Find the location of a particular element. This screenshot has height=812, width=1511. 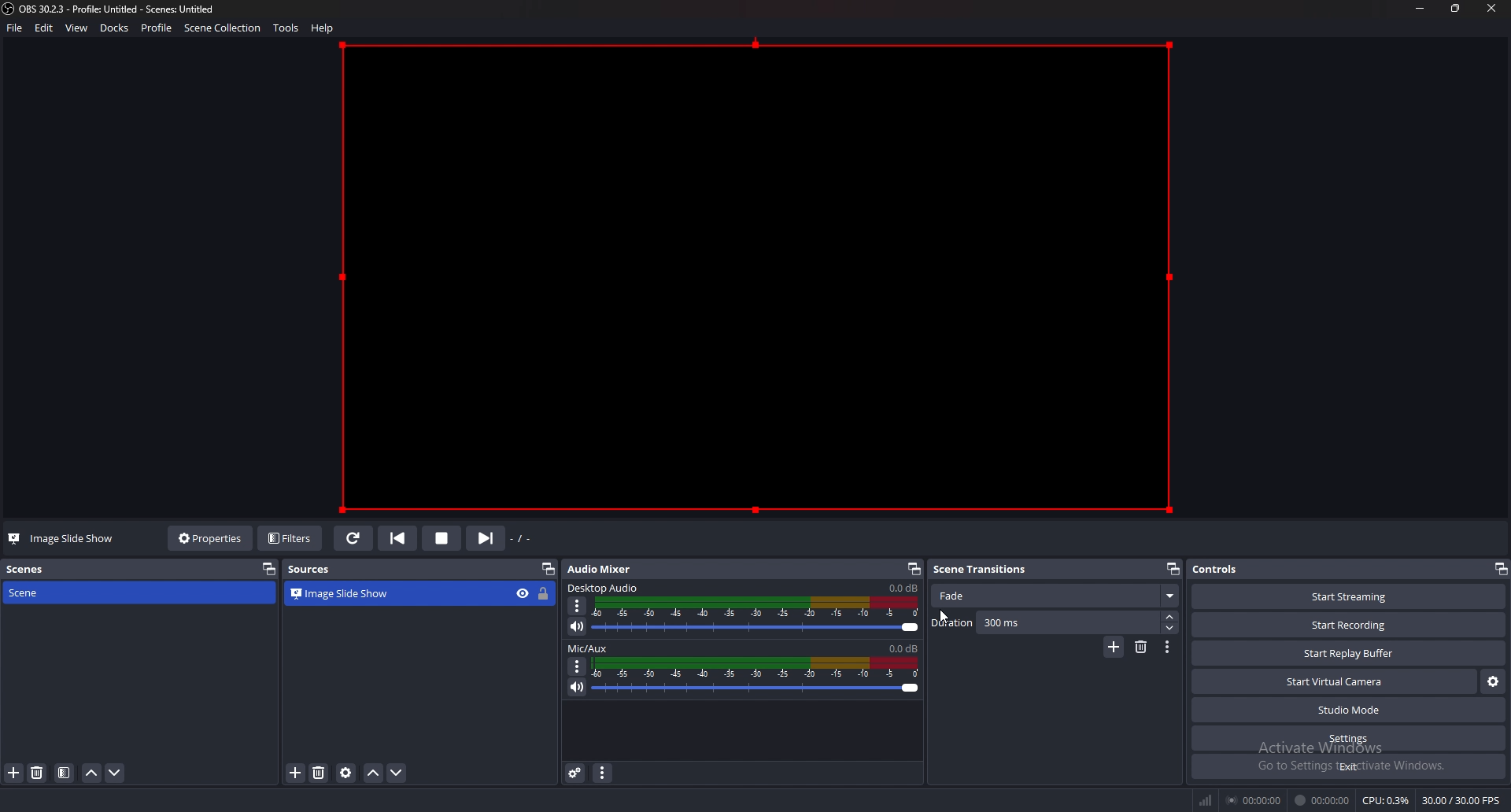

pop out is located at coordinates (911, 570).